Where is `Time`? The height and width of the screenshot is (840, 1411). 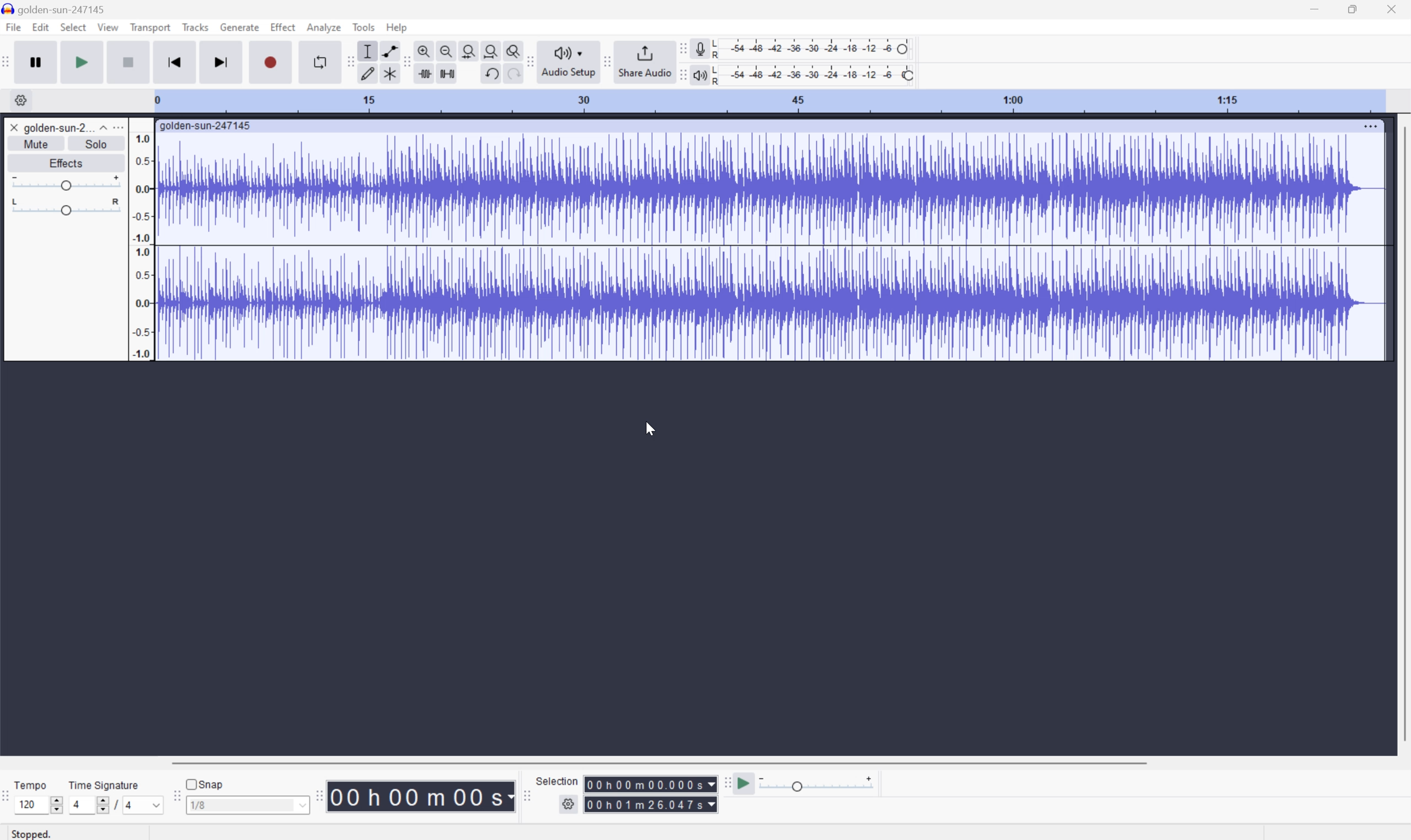
Time is located at coordinates (422, 795).